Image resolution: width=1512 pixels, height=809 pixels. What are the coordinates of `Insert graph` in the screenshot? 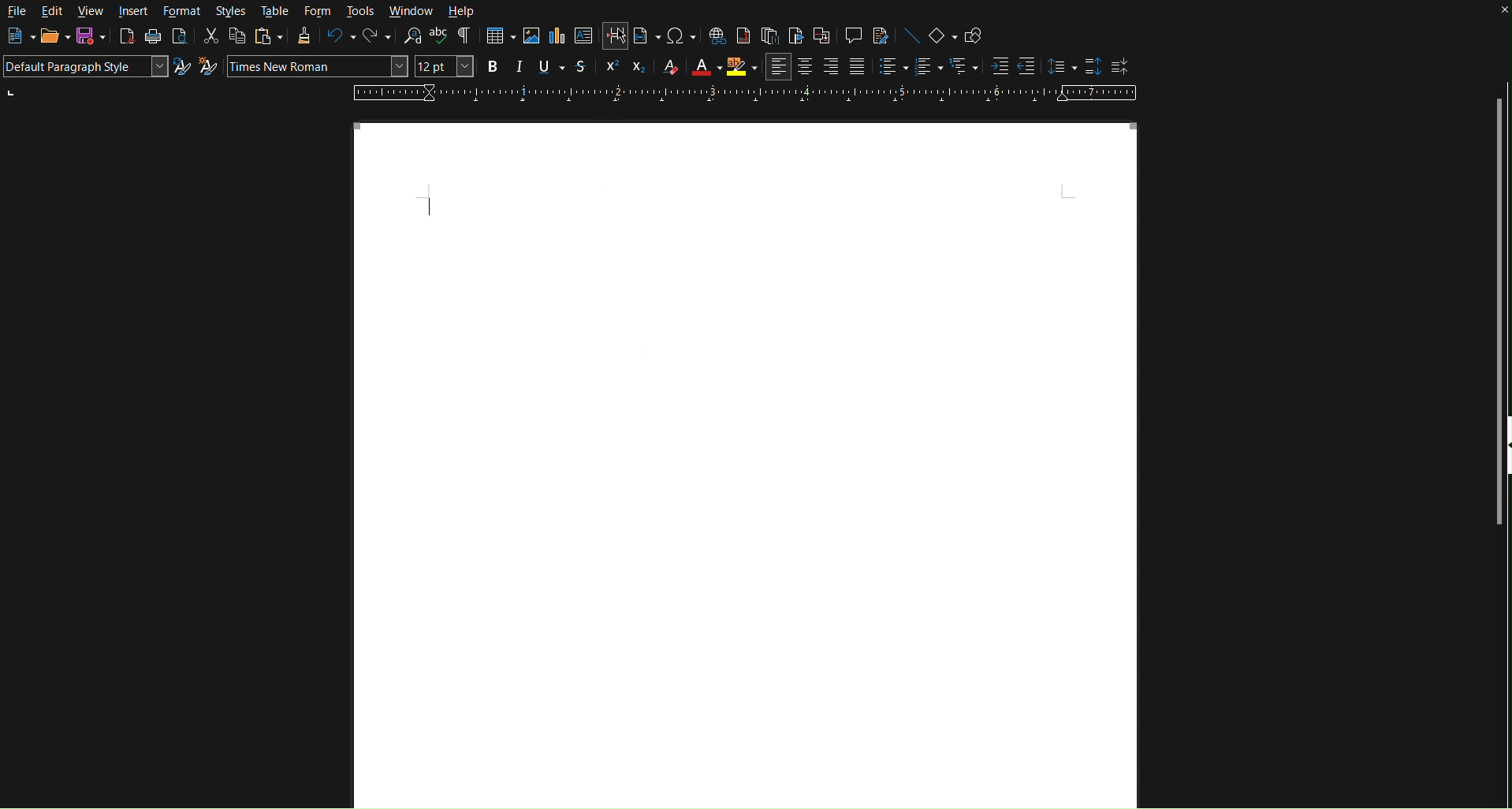 It's located at (557, 38).